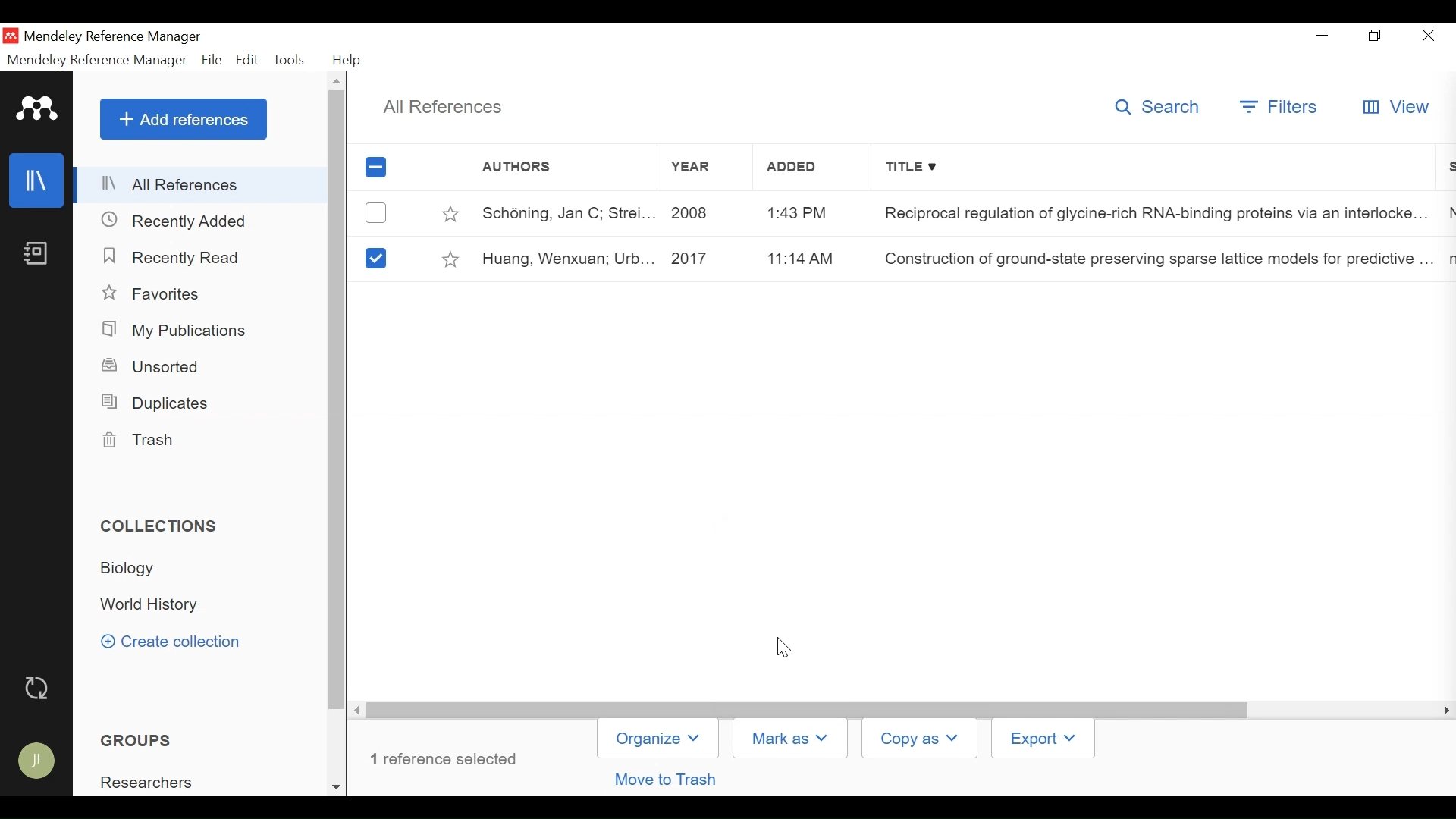  What do you see at coordinates (180, 331) in the screenshot?
I see `My Publications` at bounding box center [180, 331].